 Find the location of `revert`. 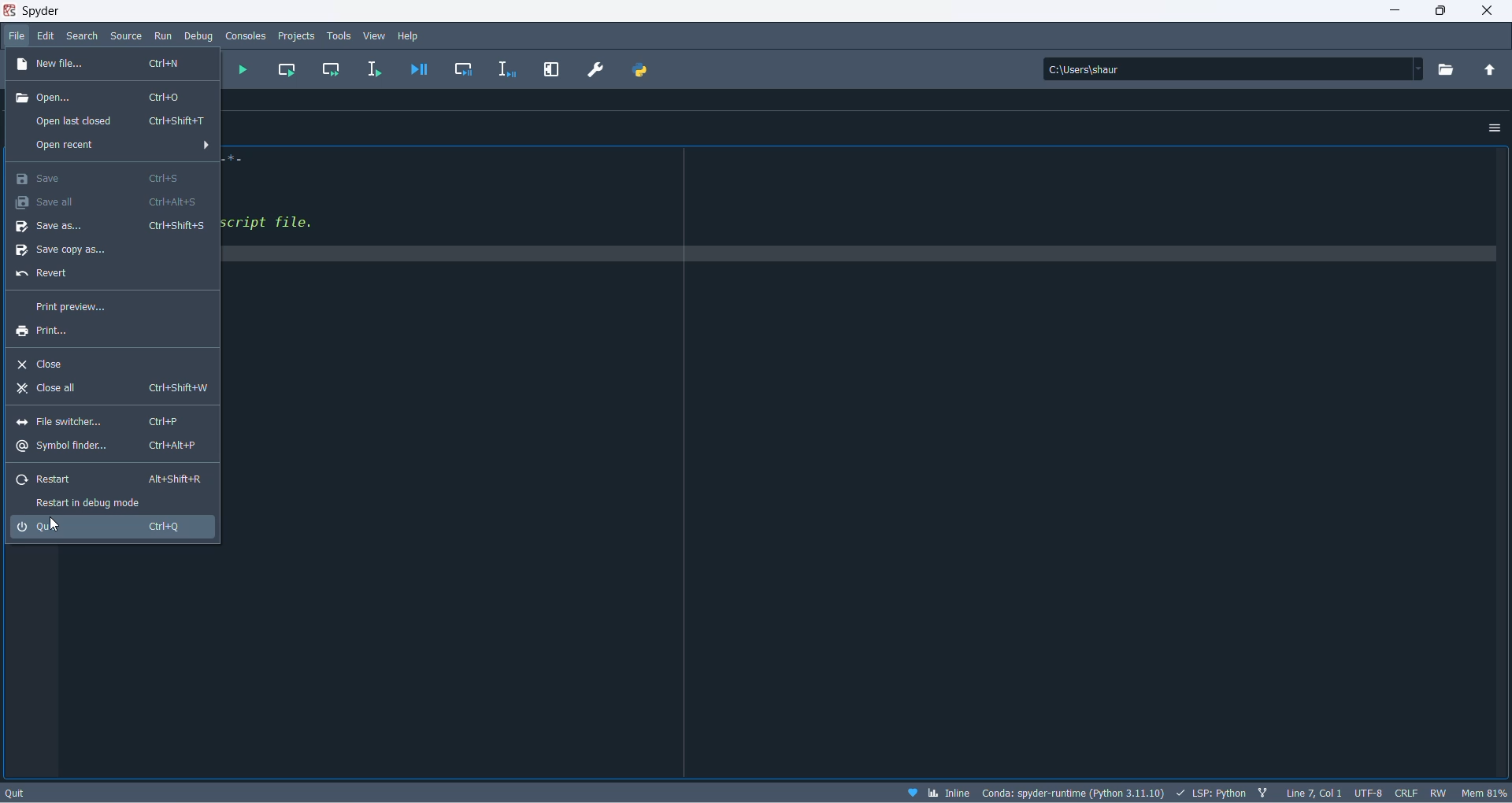

revert is located at coordinates (114, 277).